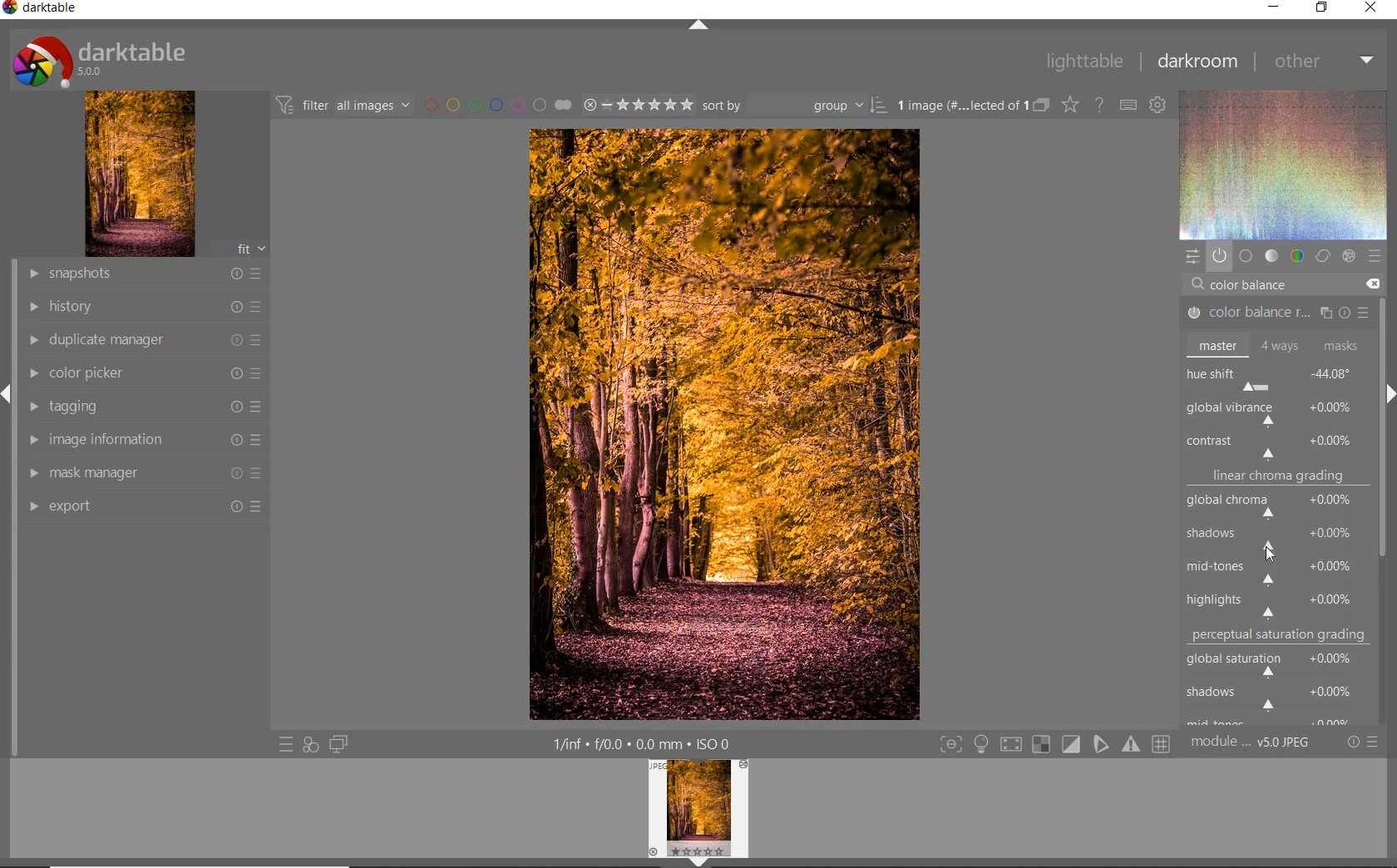  What do you see at coordinates (1296, 256) in the screenshot?
I see `color ` at bounding box center [1296, 256].